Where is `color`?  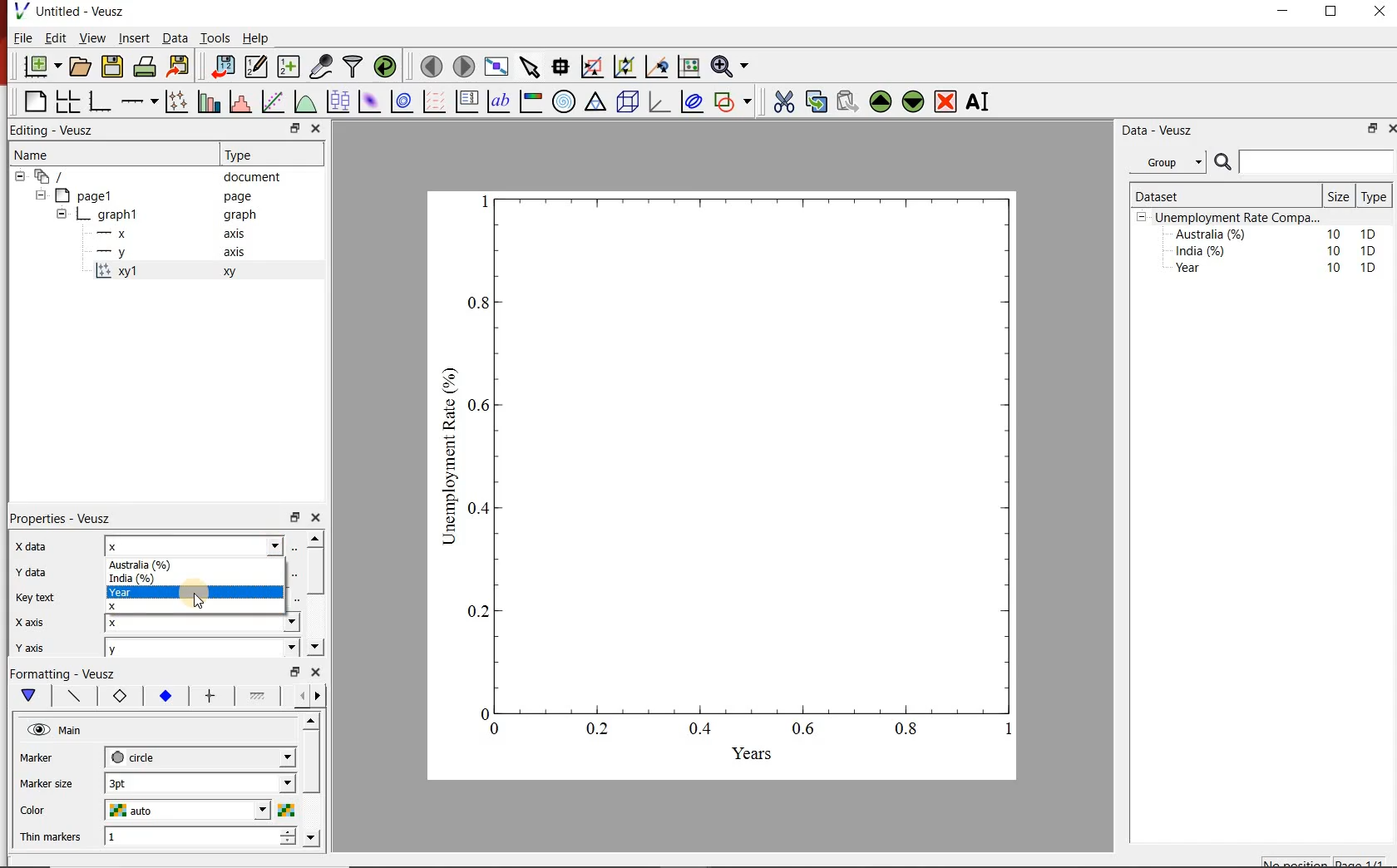
color is located at coordinates (46, 811).